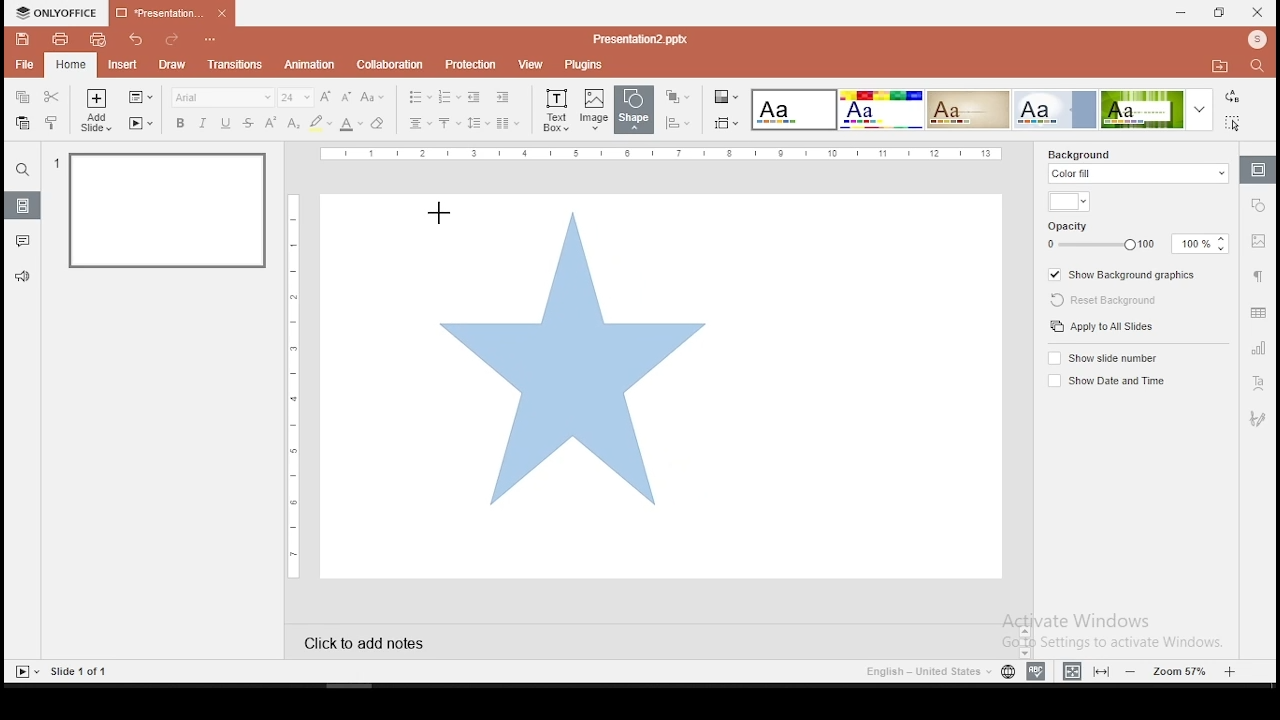 The image size is (1280, 720). What do you see at coordinates (1233, 97) in the screenshot?
I see `replace` at bounding box center [1233, 97].